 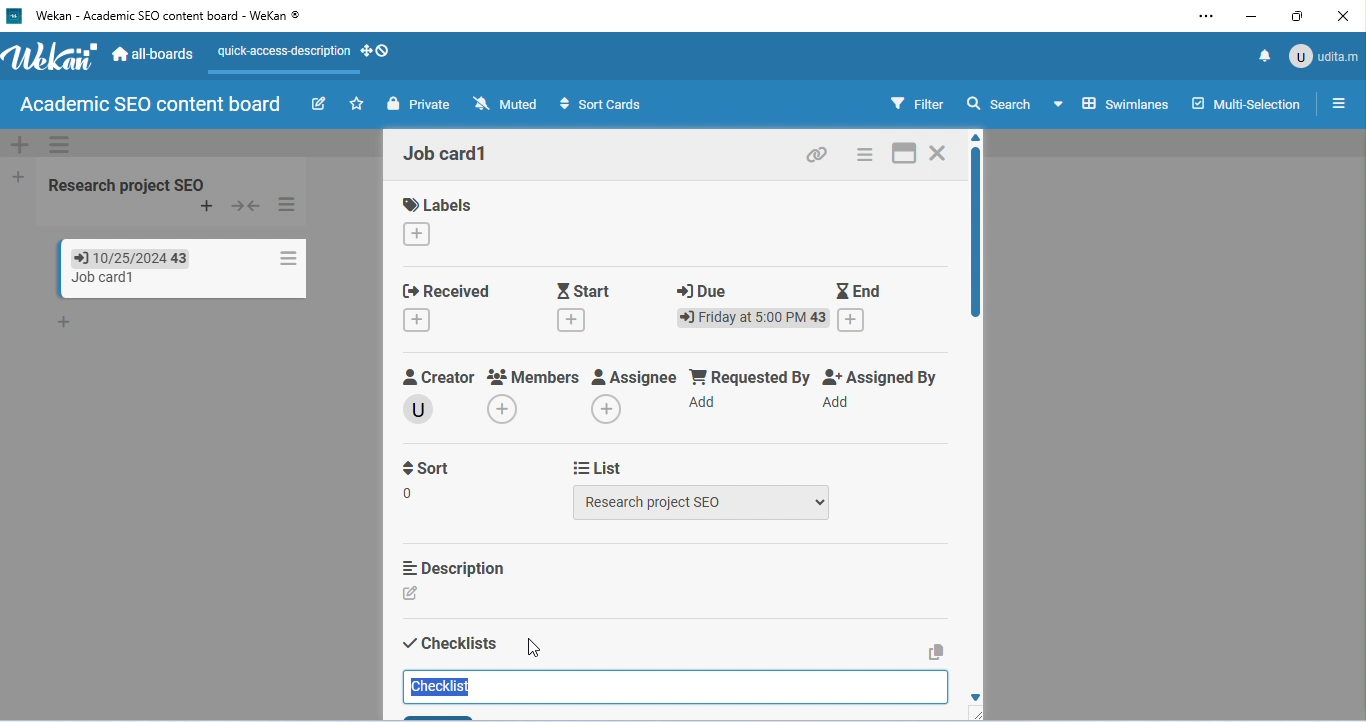 What do you see at coordinates (1249, 18) in the screenshot?
I see `minimize` at bounding box center [1249, 18].